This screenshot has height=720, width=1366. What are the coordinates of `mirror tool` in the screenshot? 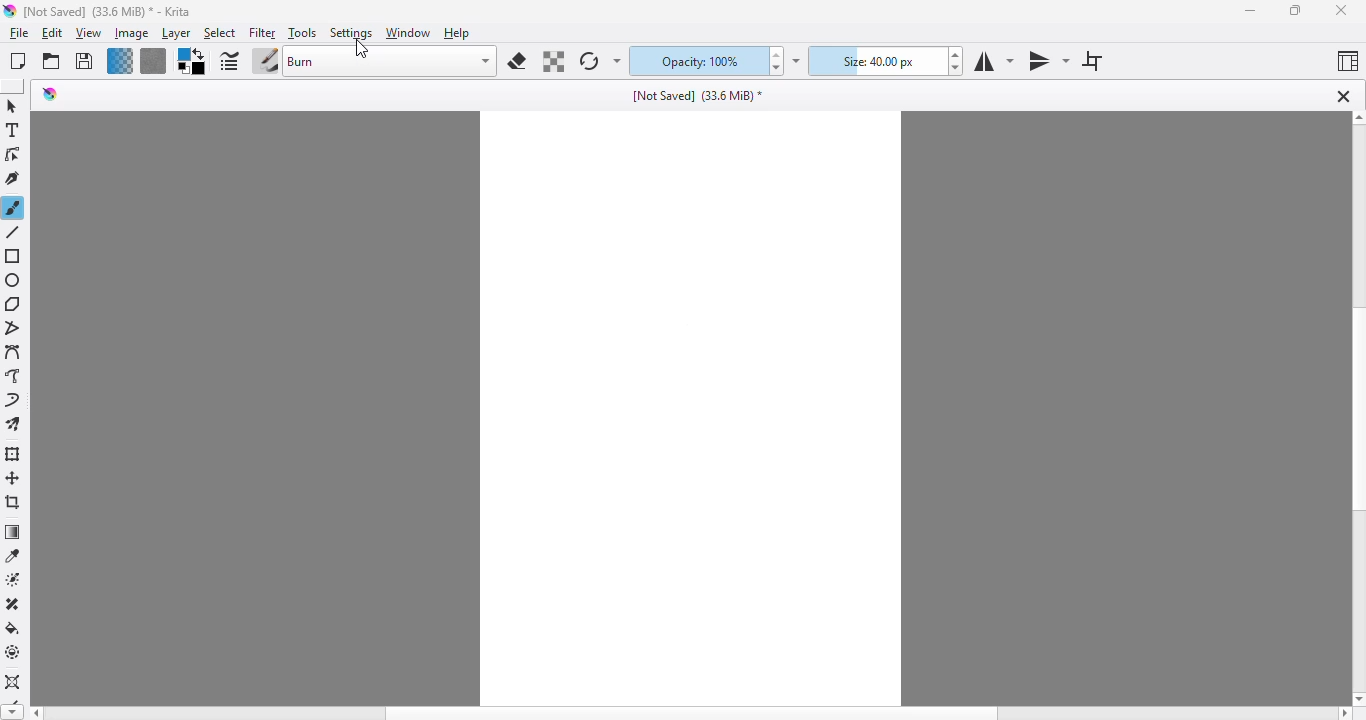 It's located at (1048, 60).